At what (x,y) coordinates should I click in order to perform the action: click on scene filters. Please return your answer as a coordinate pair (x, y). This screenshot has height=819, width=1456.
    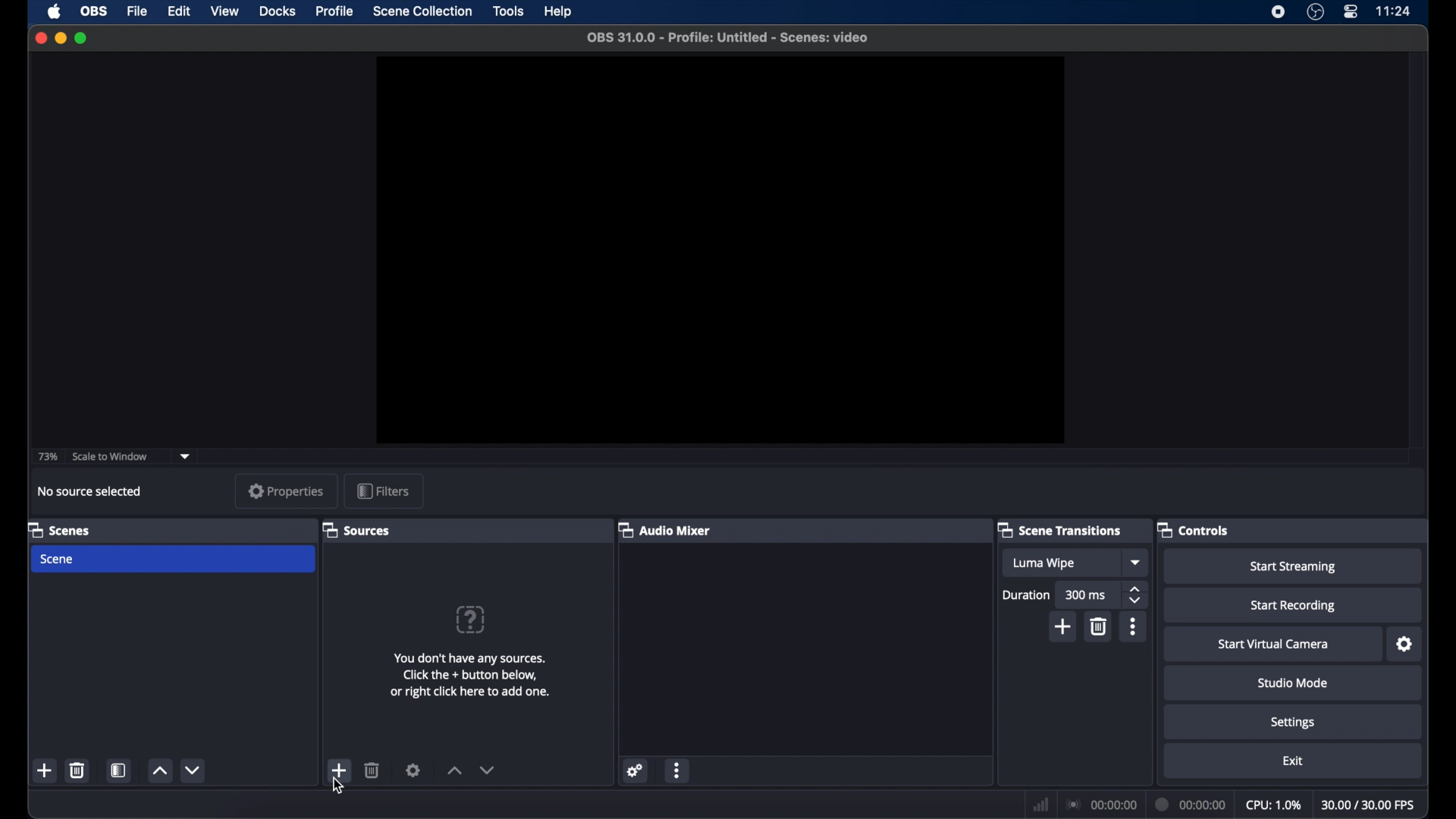
    Looking at the image, I should click on (118, 770).